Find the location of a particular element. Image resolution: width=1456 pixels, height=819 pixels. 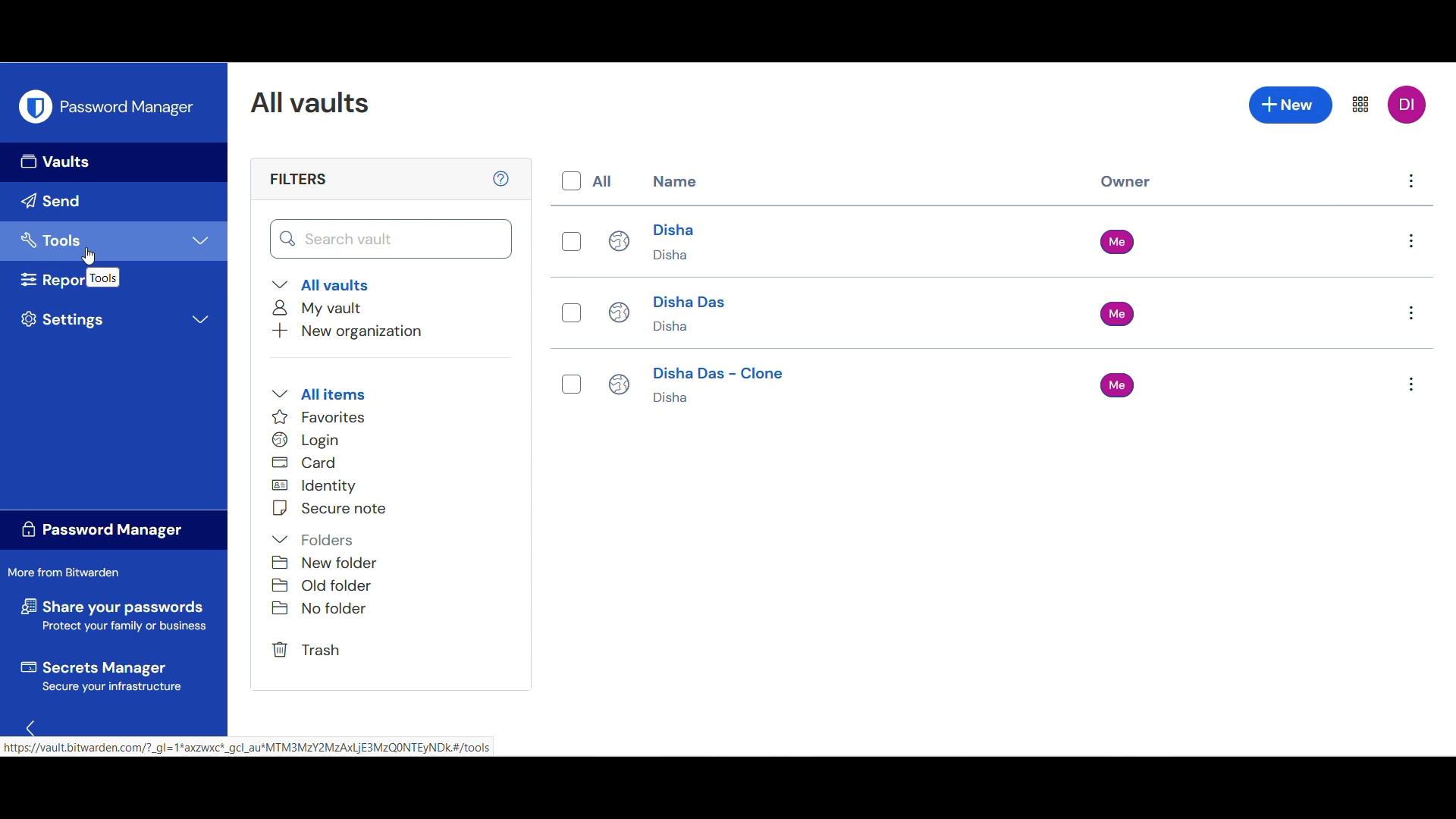

Card is located at coordinates (304, 462).